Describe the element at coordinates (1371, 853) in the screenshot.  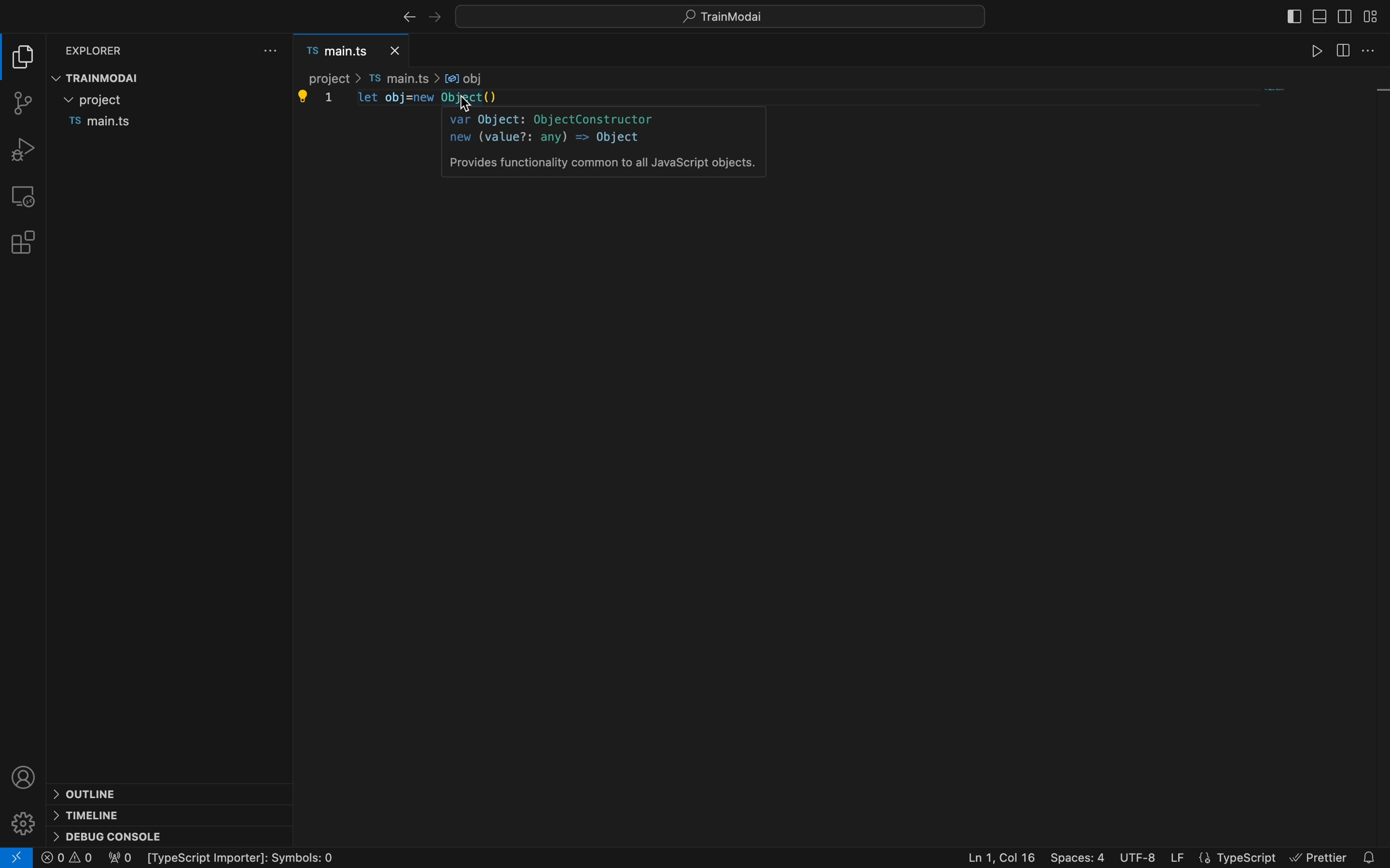
I see `Notifications ` at that location.